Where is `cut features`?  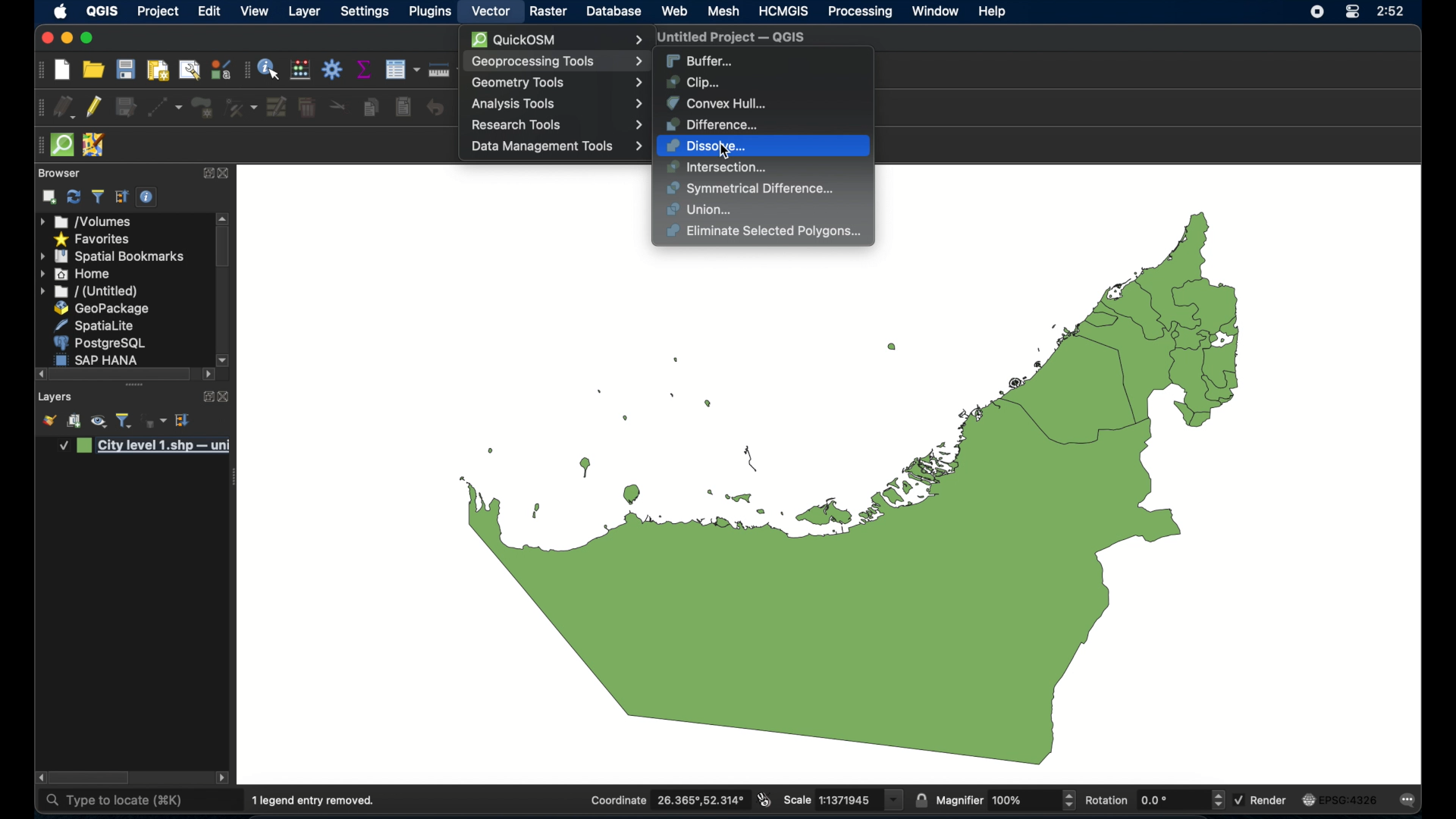
cut features is located at coordinates (337, 106).